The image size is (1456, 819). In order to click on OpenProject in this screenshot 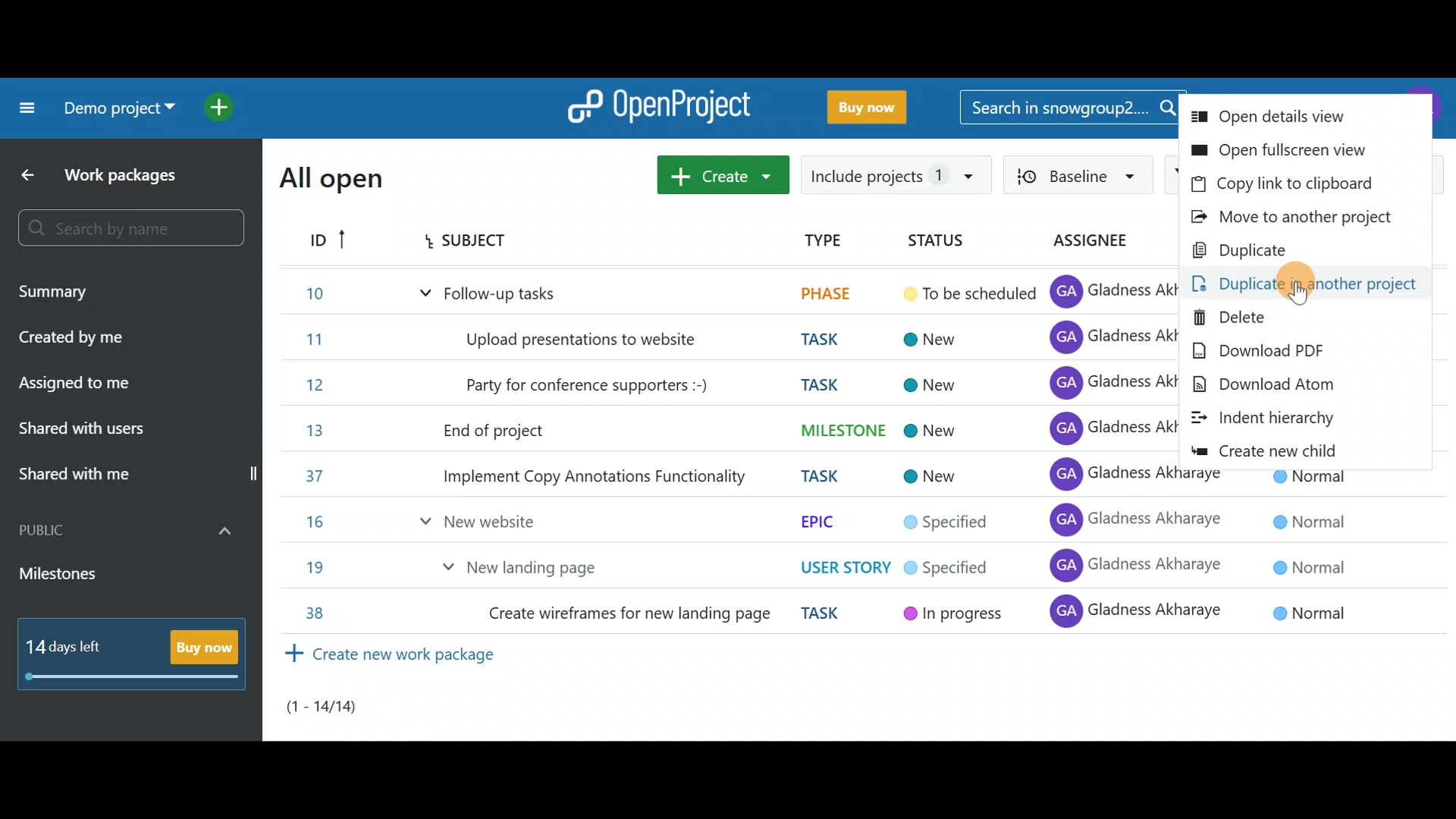, I will do `click(656, 103)`.